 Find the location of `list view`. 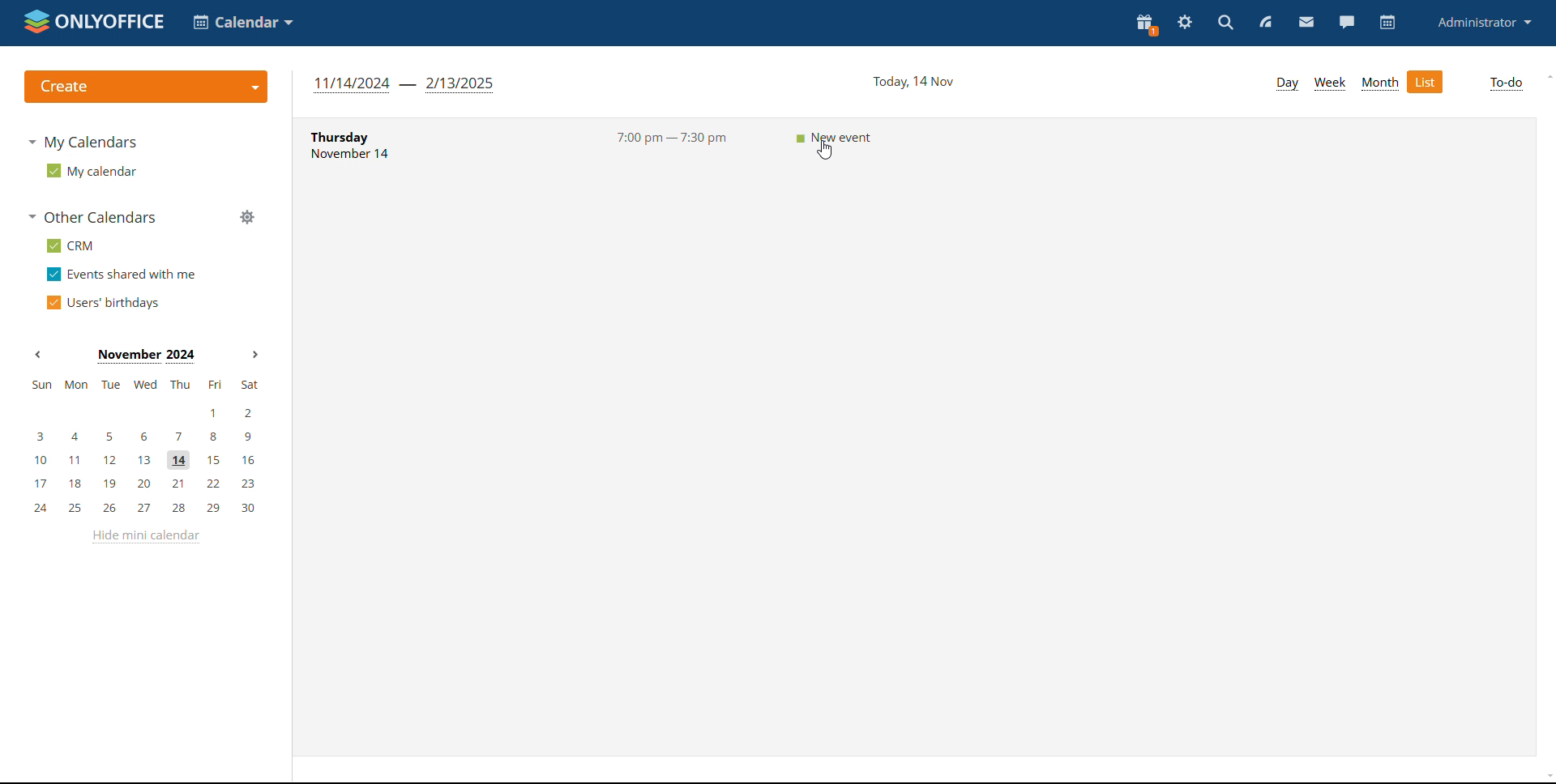

list view is located at coordinates (1426, 82).